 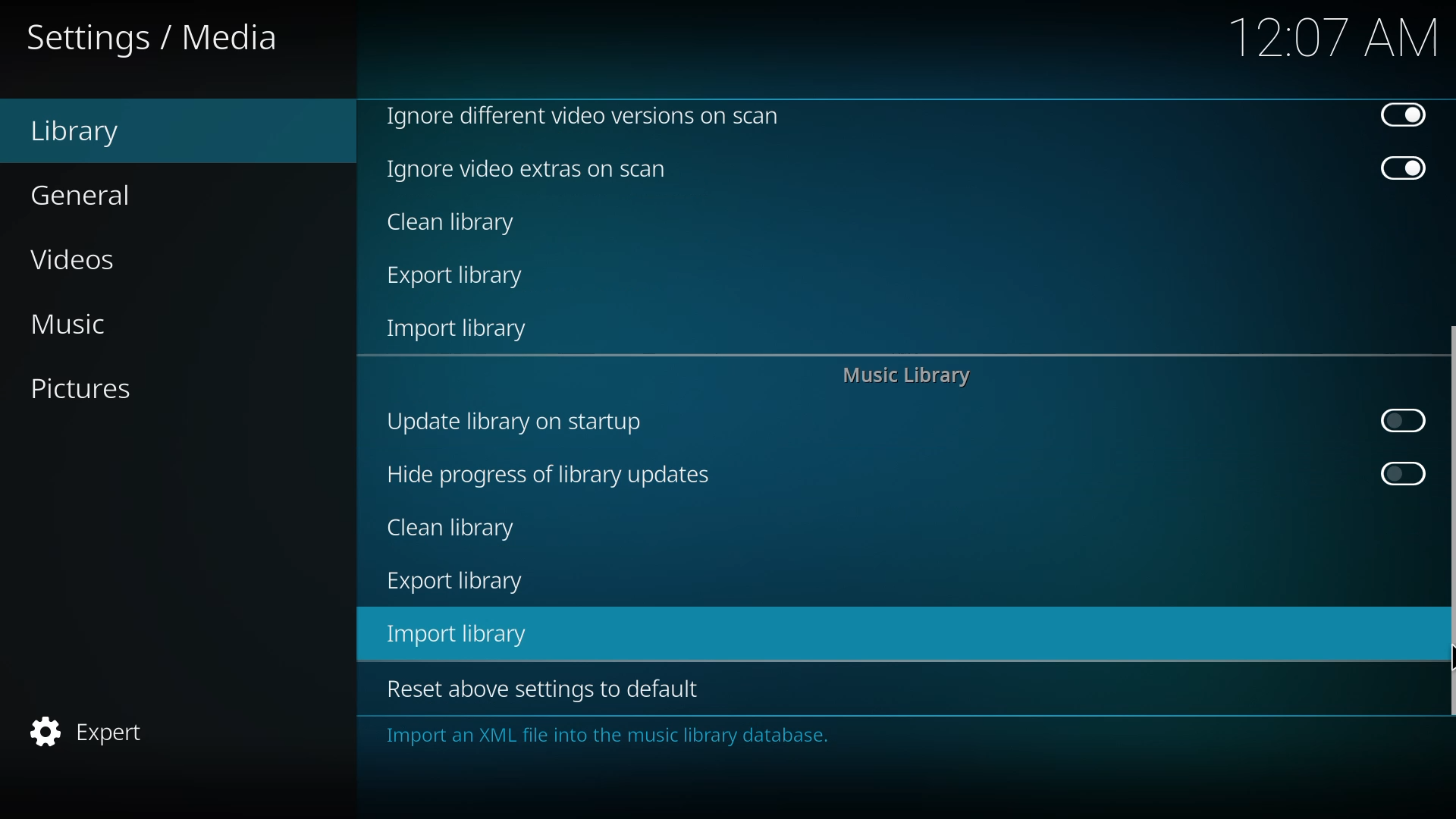 What do you see at coordinates (1401, 474) in the screenshot?
I see `click to enable` at bounding box center [1401, 474].